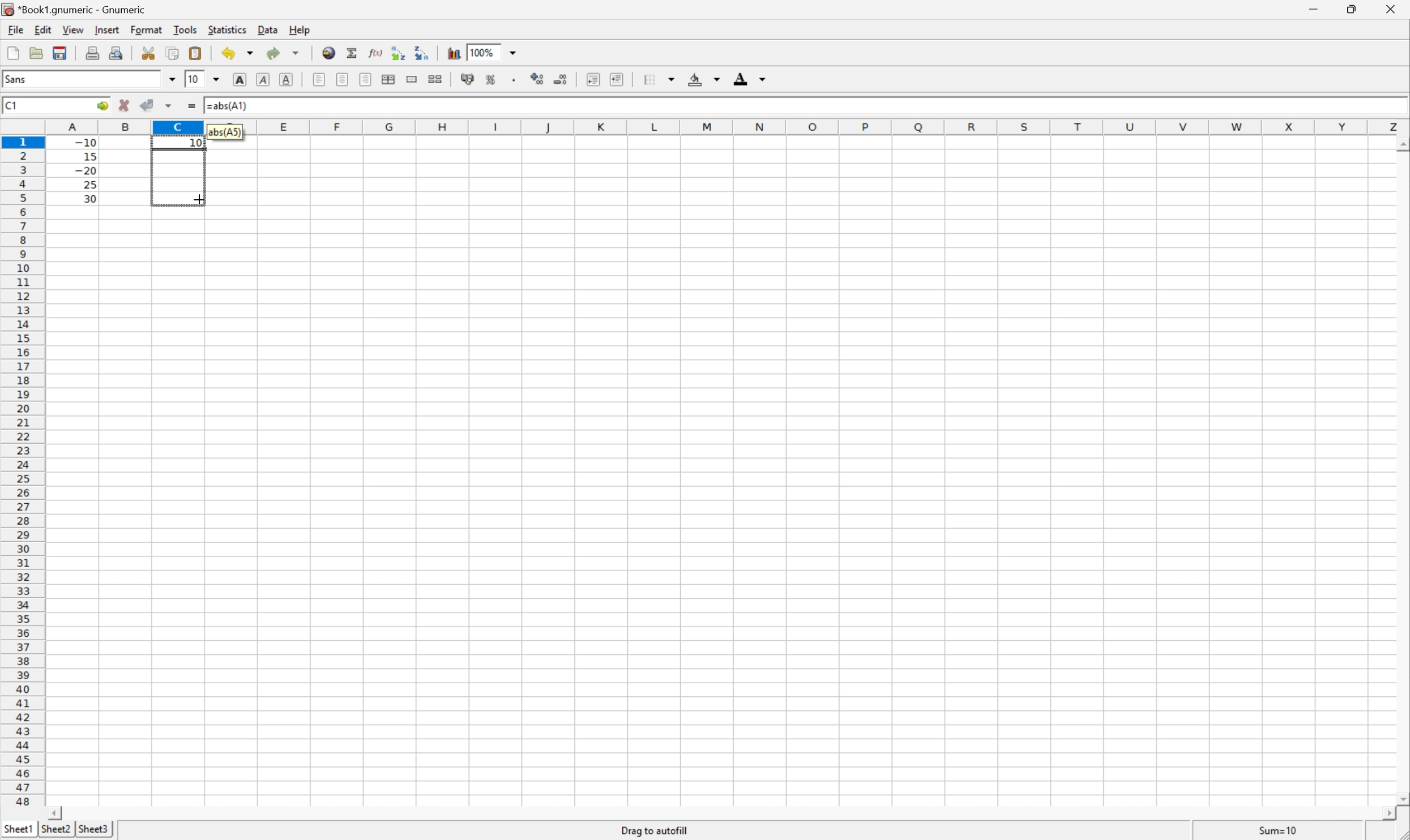 The width and height of the screenshot is (1410, 840). I want to click on Drop Down, so click(674, 77).